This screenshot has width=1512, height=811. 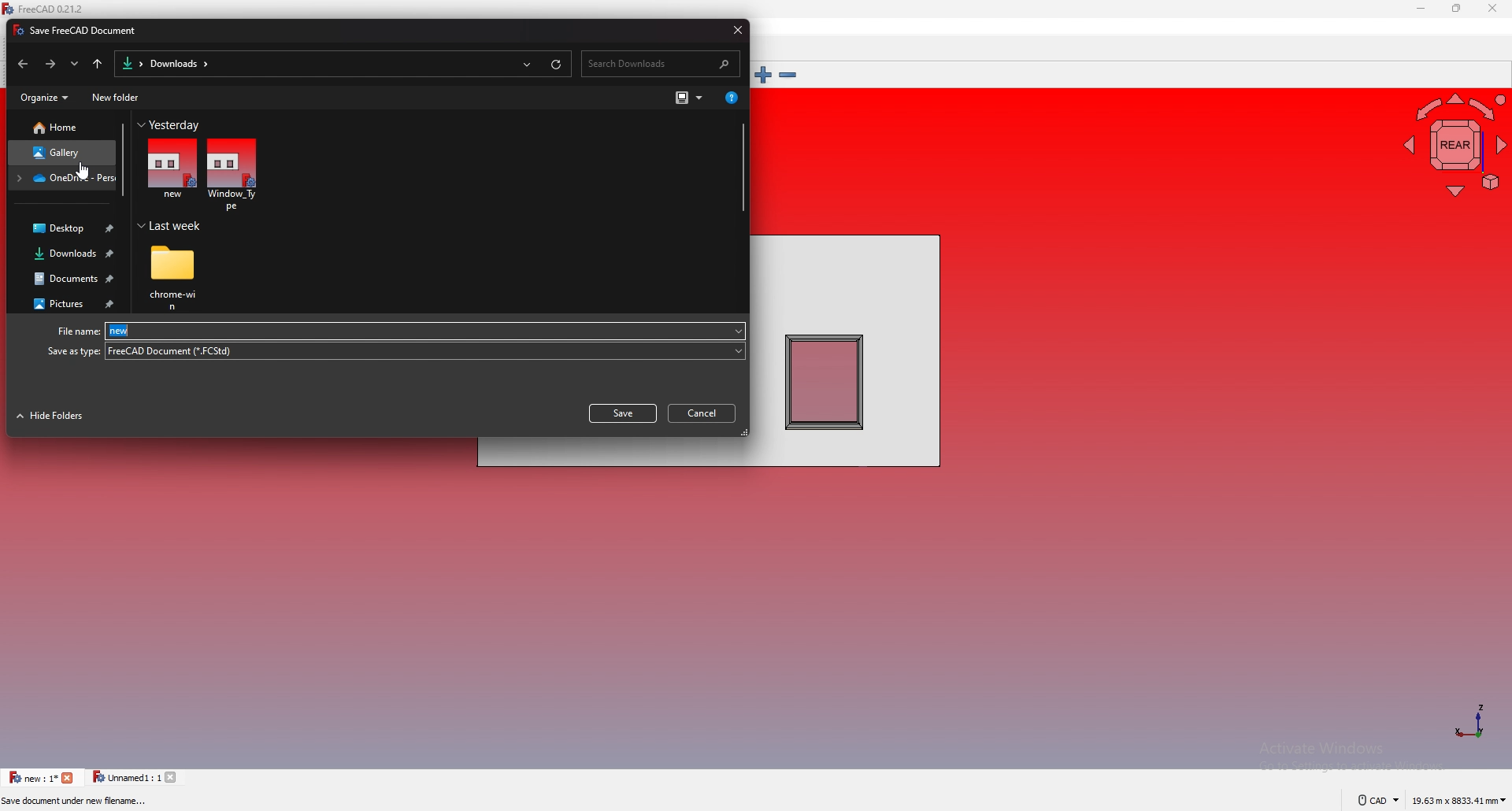 I want to click on Last week, so click(x=383, y=227).